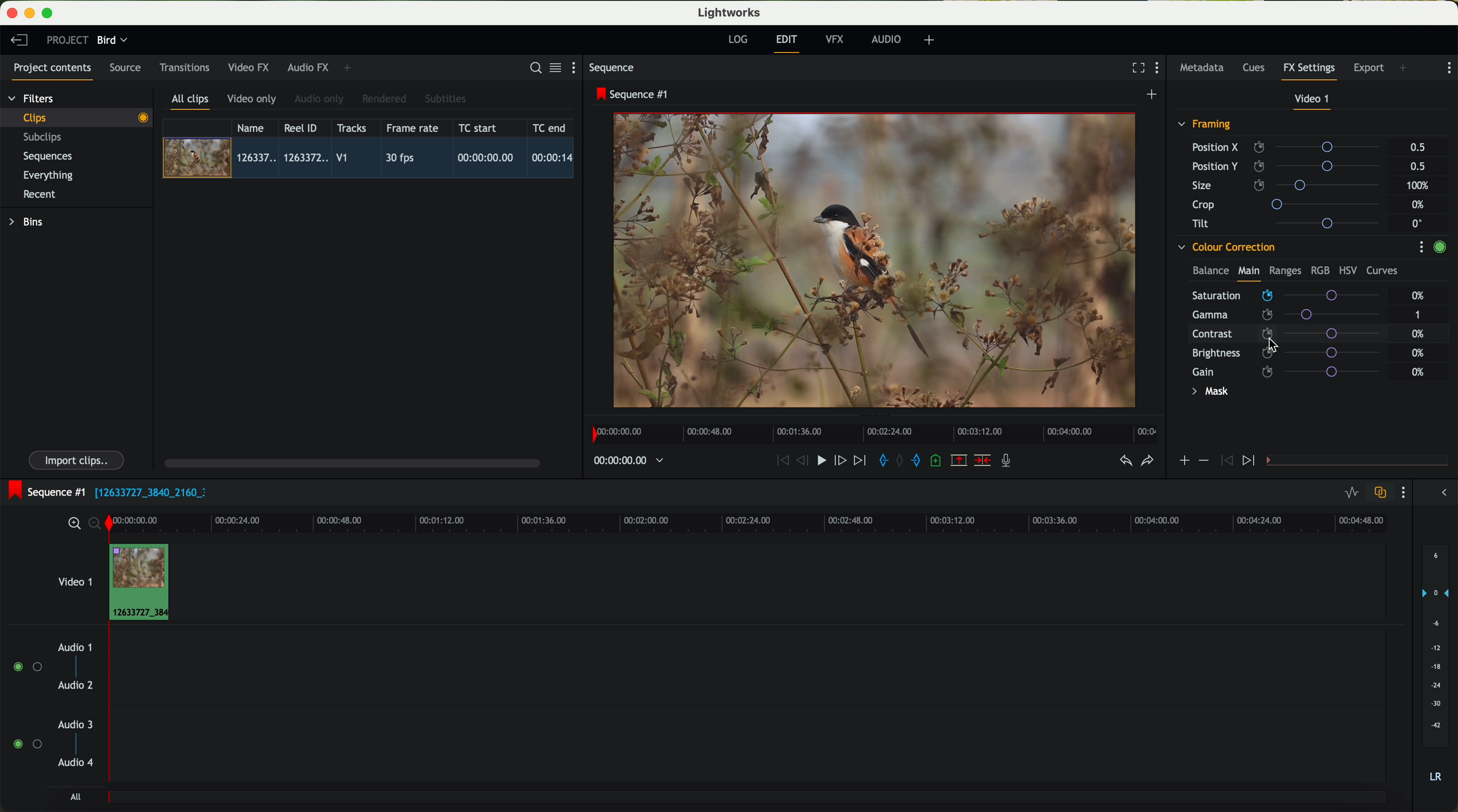  What do you see at coordinates (385, 100) in the screenshot?
I see `rendered` at bounding box center [385, 100].